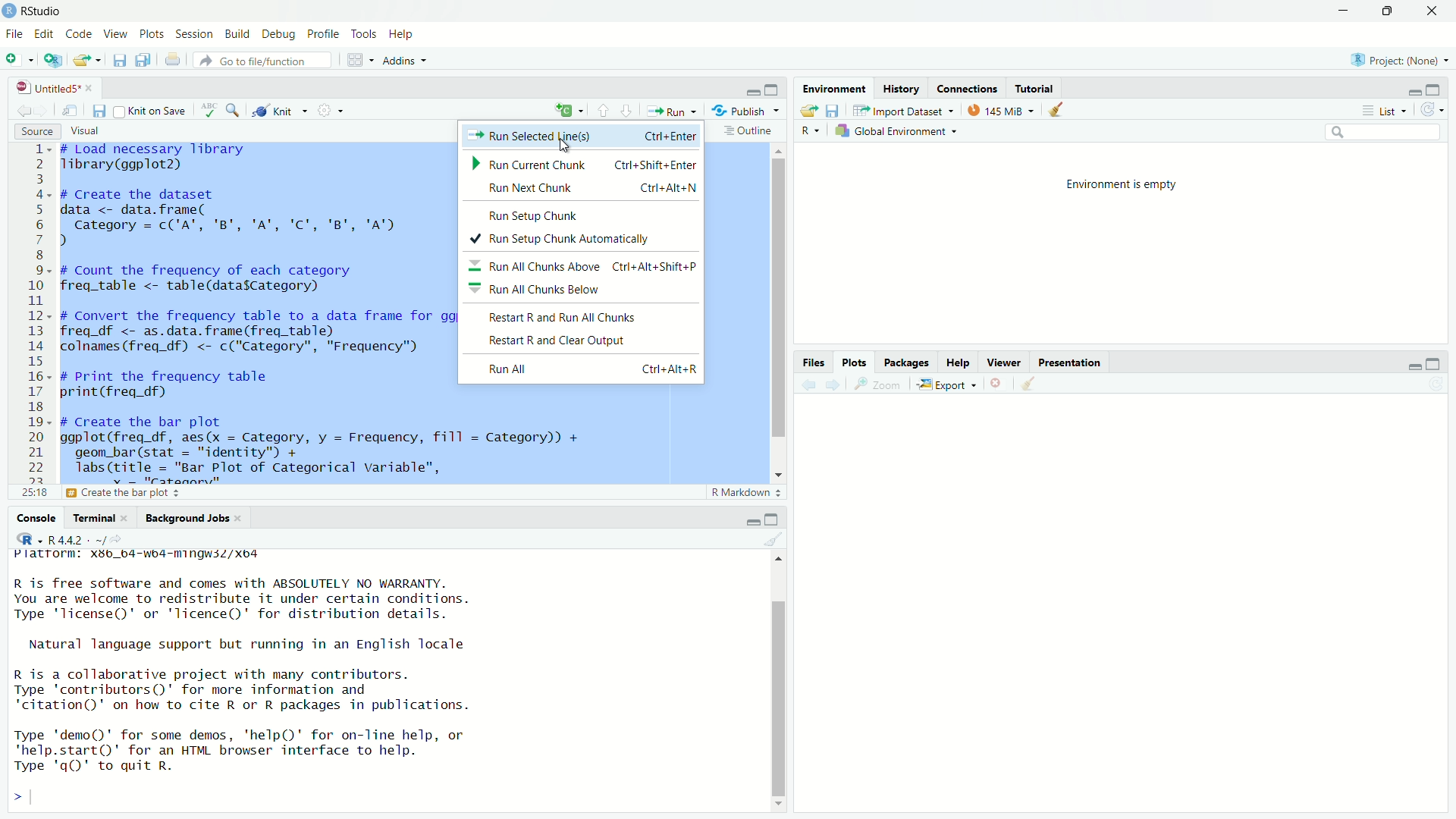  I want to click on build, so click(235, 35).